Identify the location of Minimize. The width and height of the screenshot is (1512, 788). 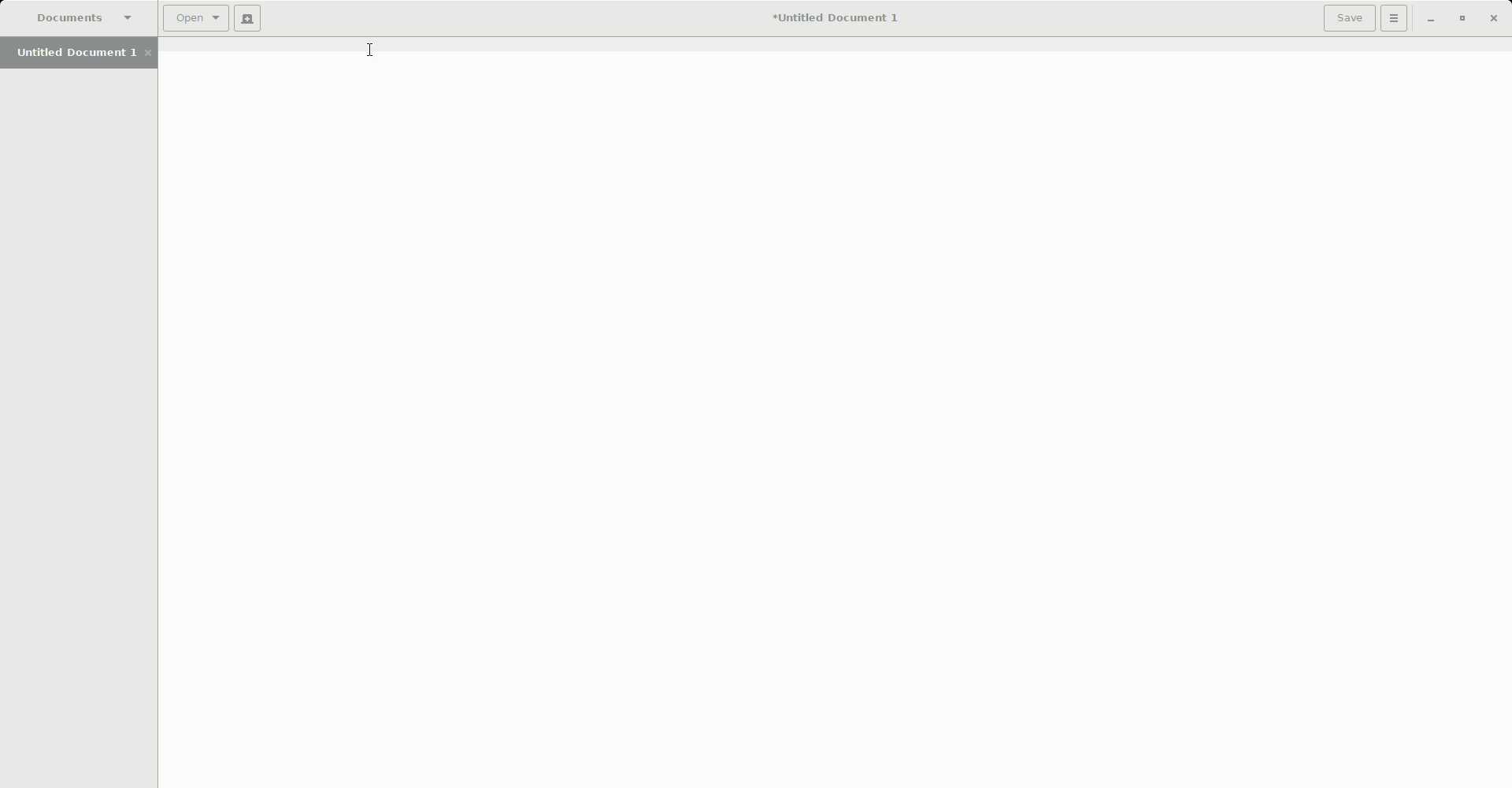
(1432, 19).